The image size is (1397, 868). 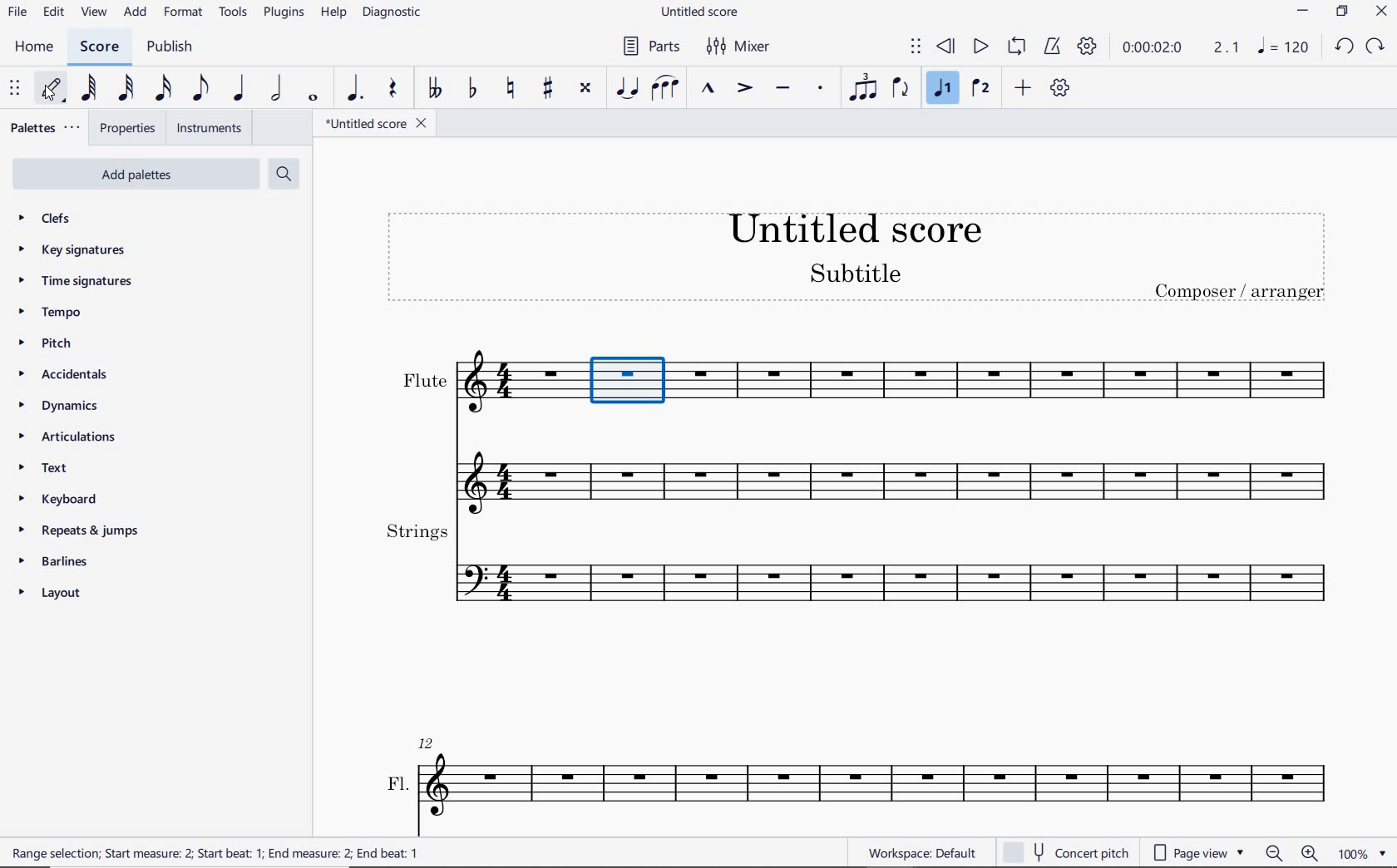 I want to click on EIGHTH NOTE, so click(x=199, y=90).